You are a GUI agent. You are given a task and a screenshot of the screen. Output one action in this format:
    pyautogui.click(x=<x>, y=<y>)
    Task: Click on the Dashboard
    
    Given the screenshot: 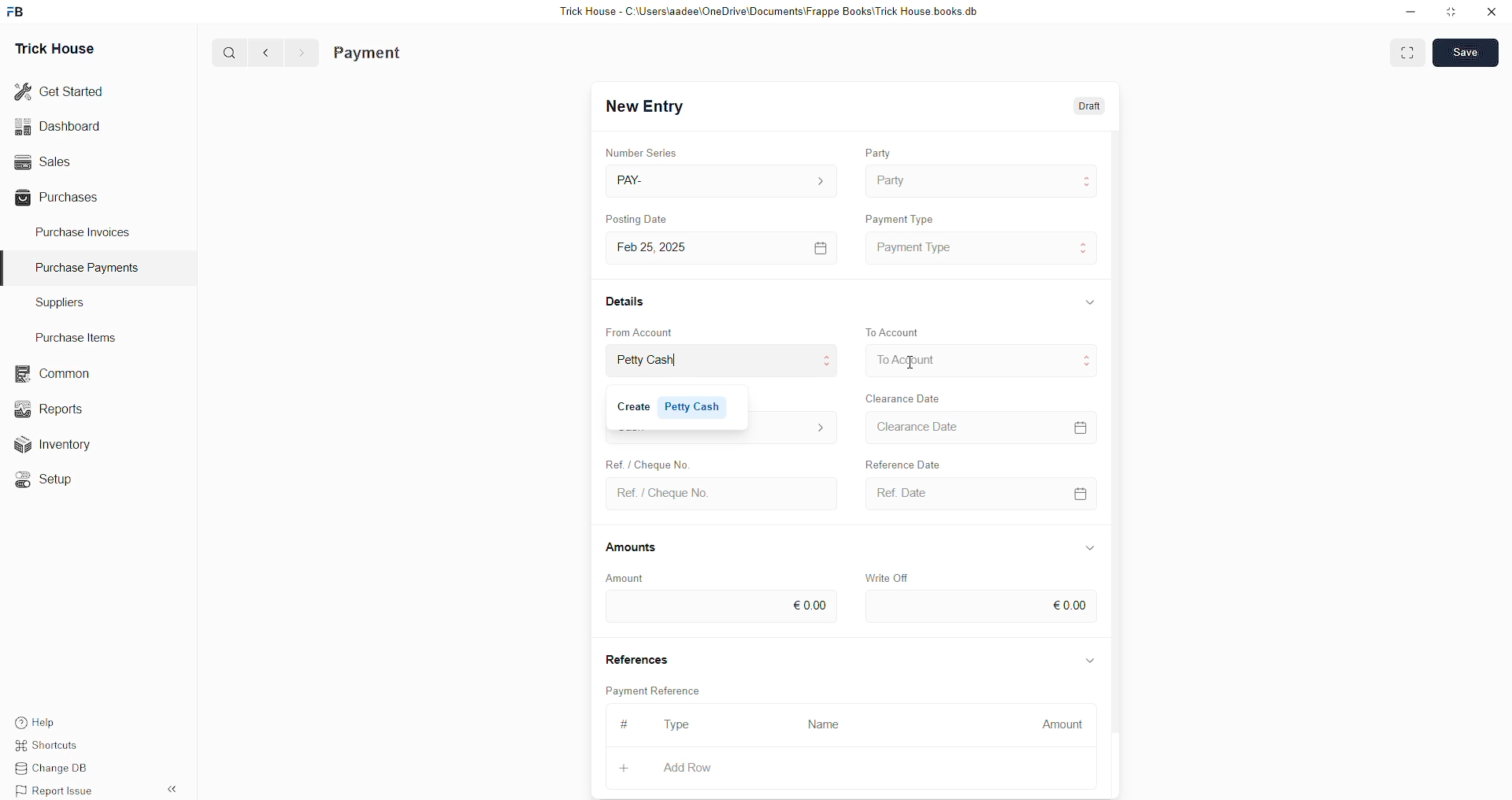 What is the action you would take?
    pyautogui.click(x=61, y=126)
    